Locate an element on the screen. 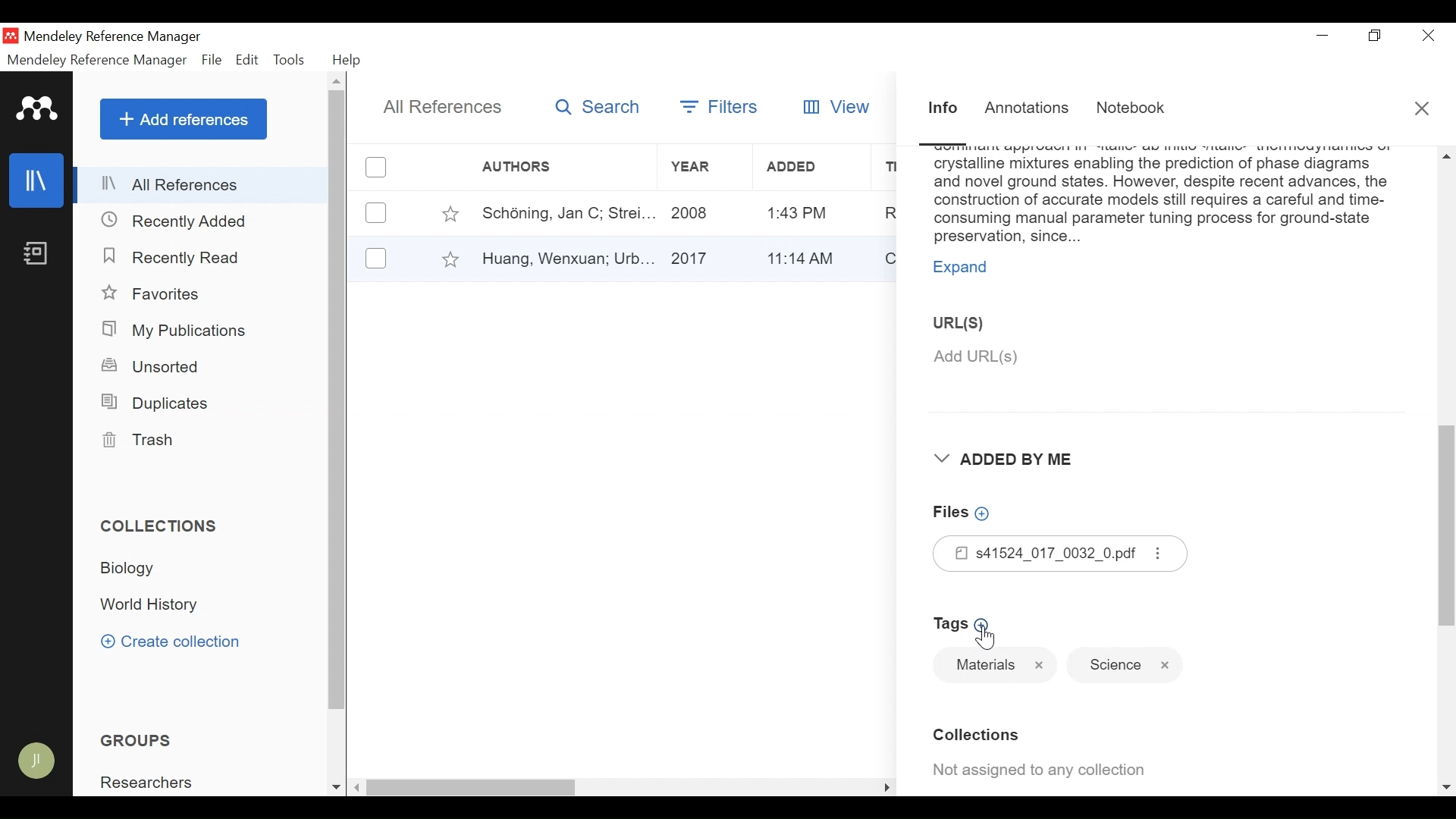 The image size is (1456, 819). minimize is located at coordinates (1323, 36).